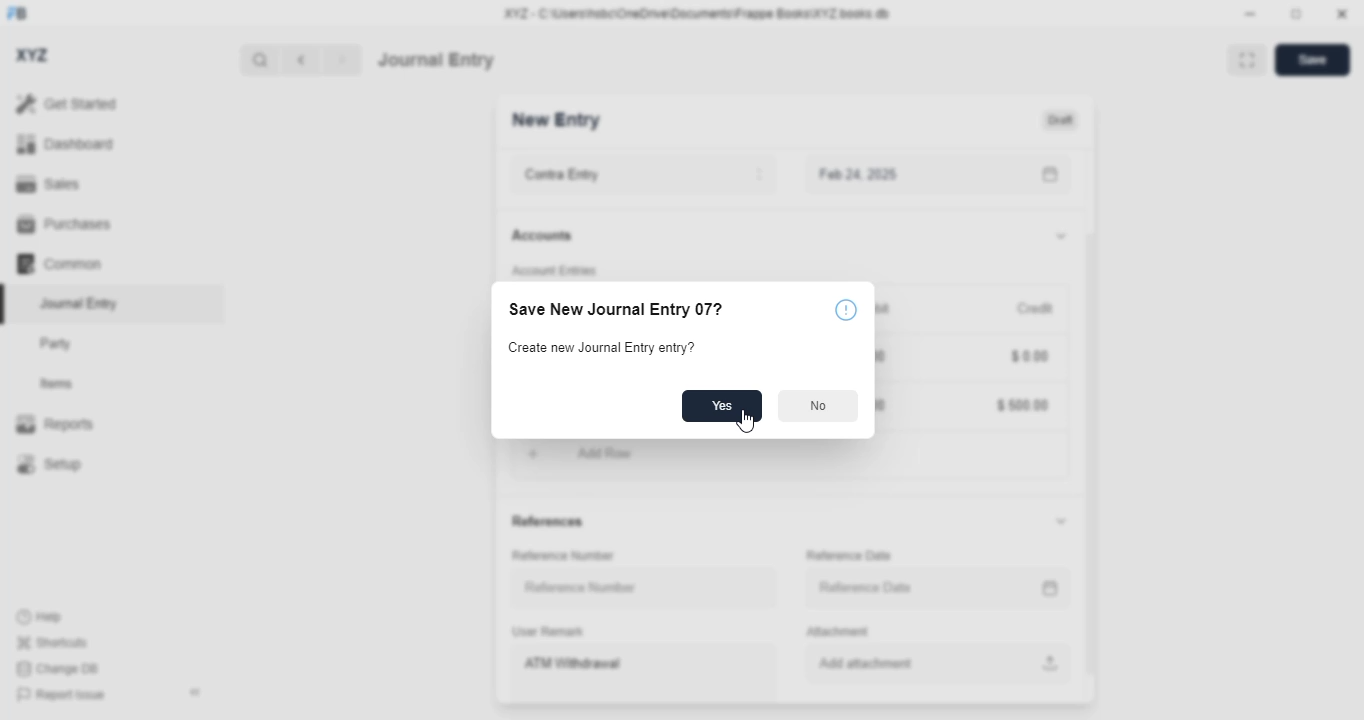 Image resolution: width=1364 pixels, height=720 pixels. I want to click on help, so click(40, 617).